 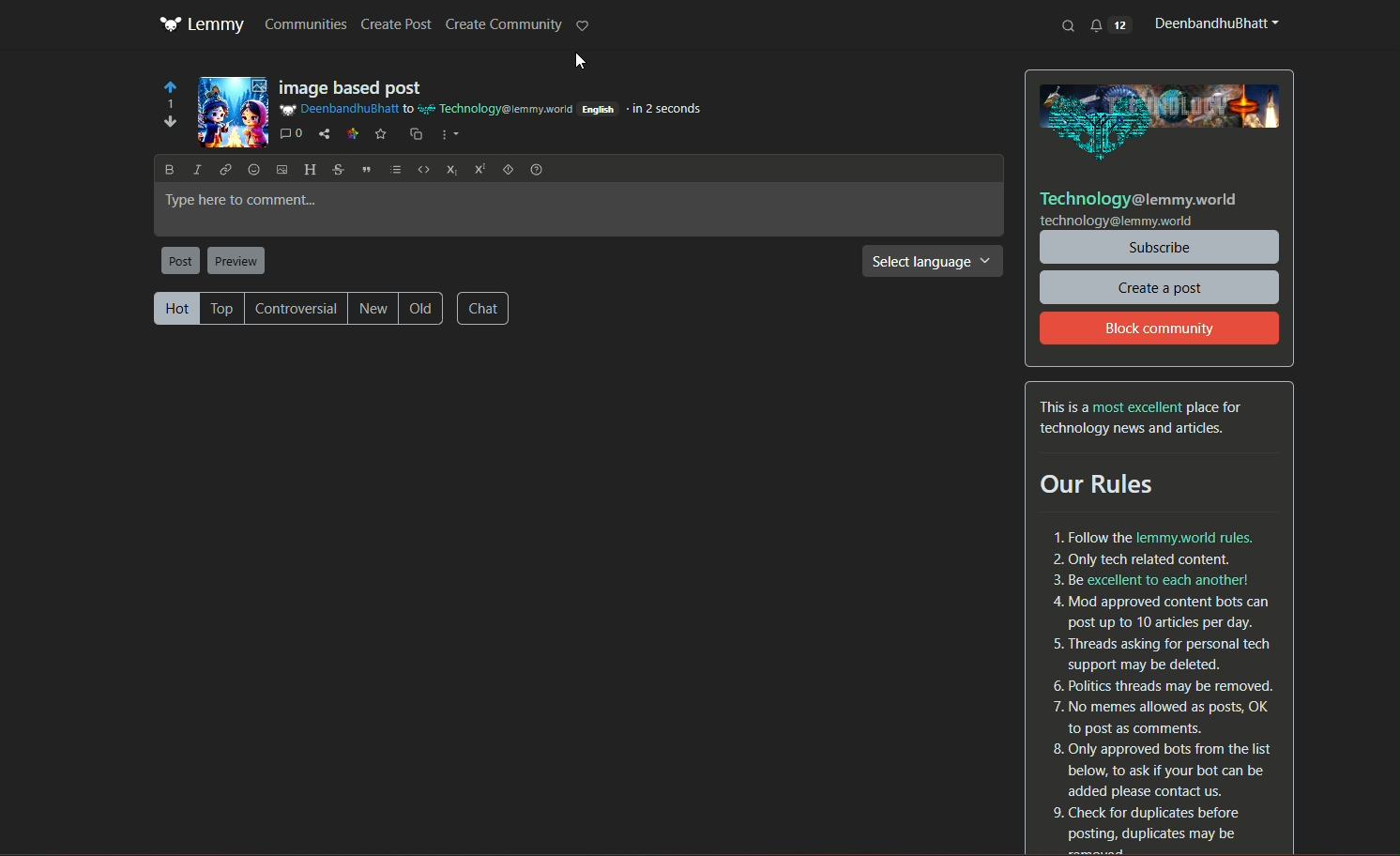 I want to click on superscript, so click(x=476, y=167).